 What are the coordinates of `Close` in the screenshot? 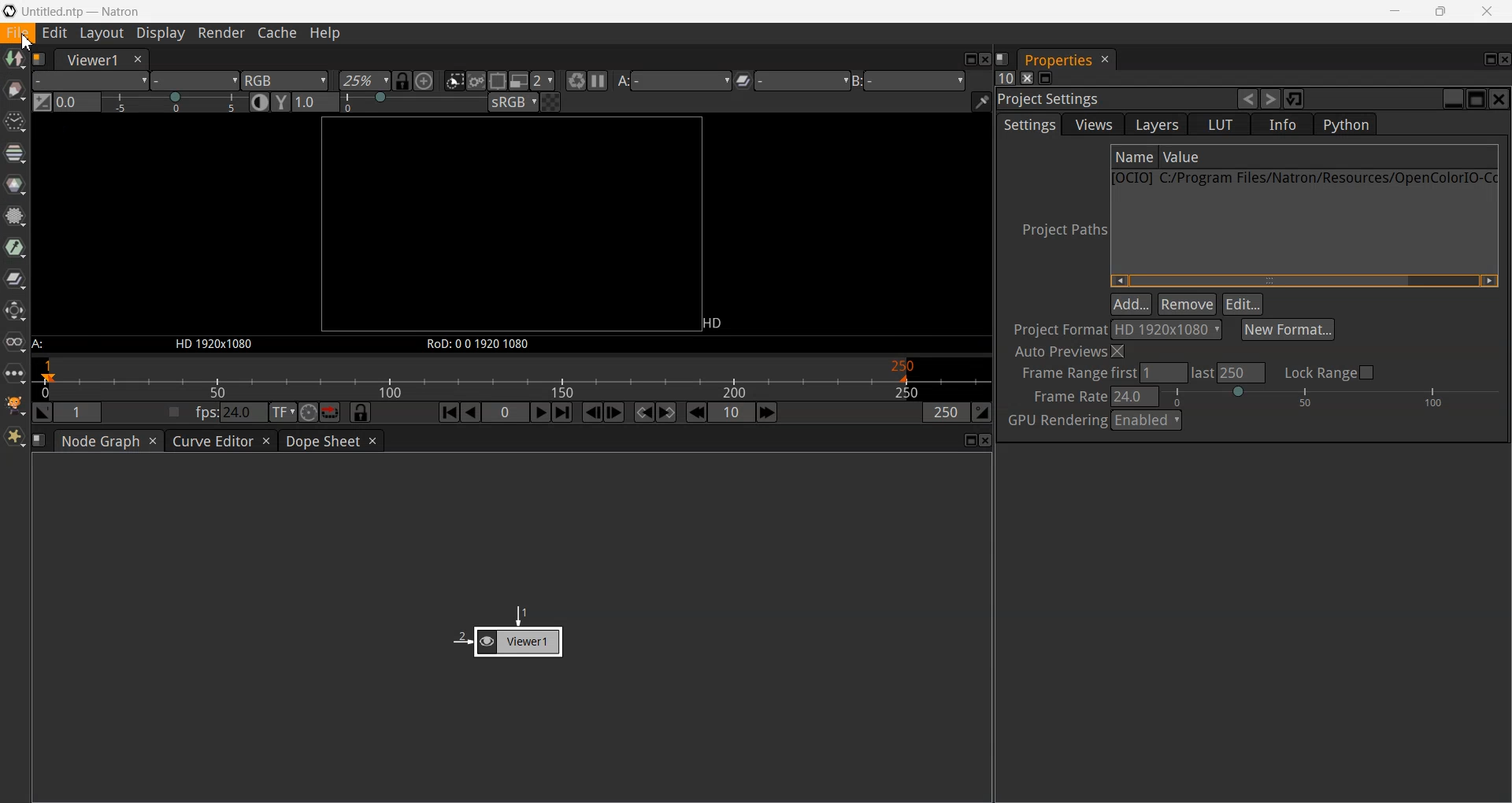 It's located at (1503, 61).